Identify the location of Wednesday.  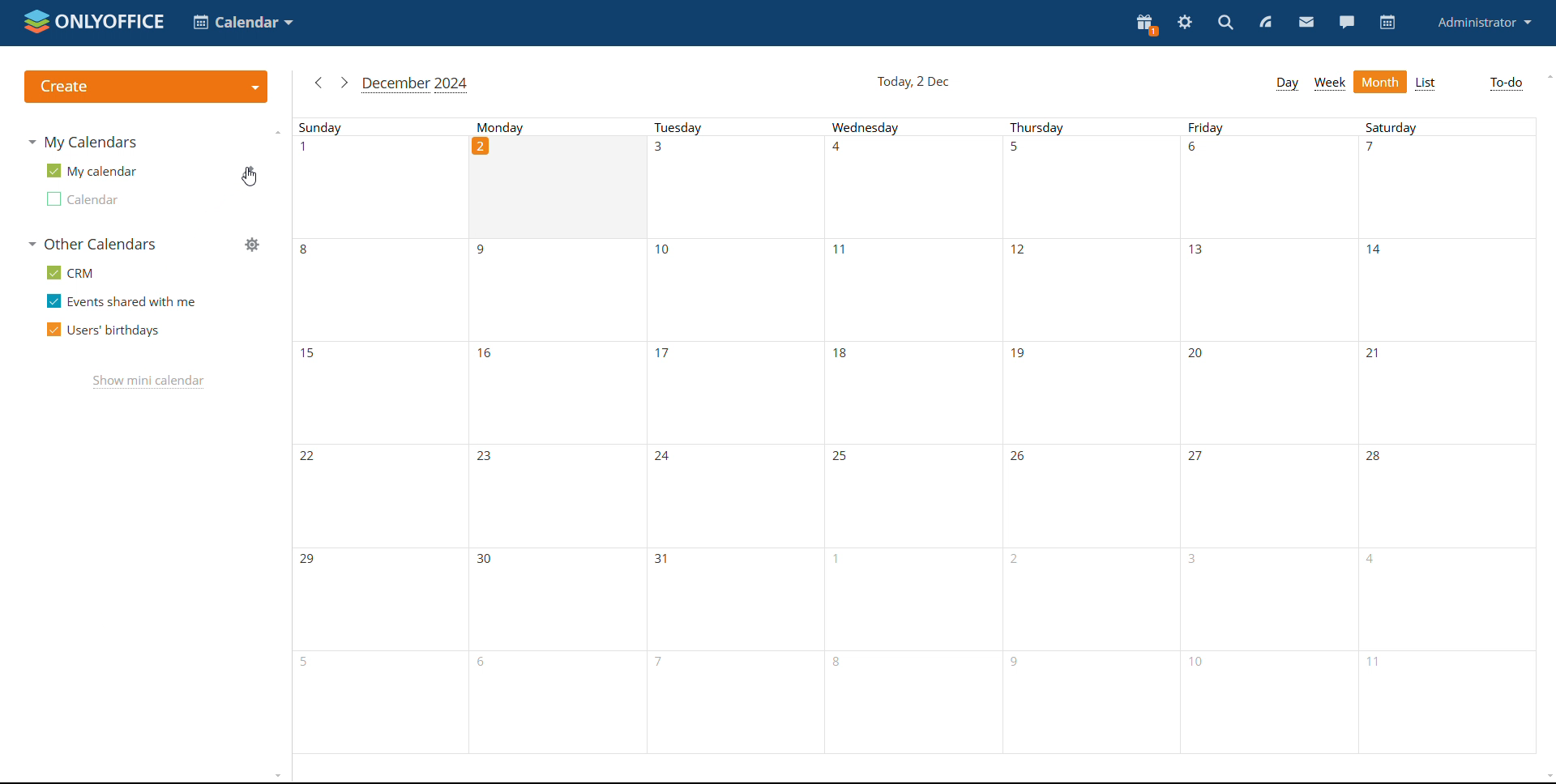
(910, 128).